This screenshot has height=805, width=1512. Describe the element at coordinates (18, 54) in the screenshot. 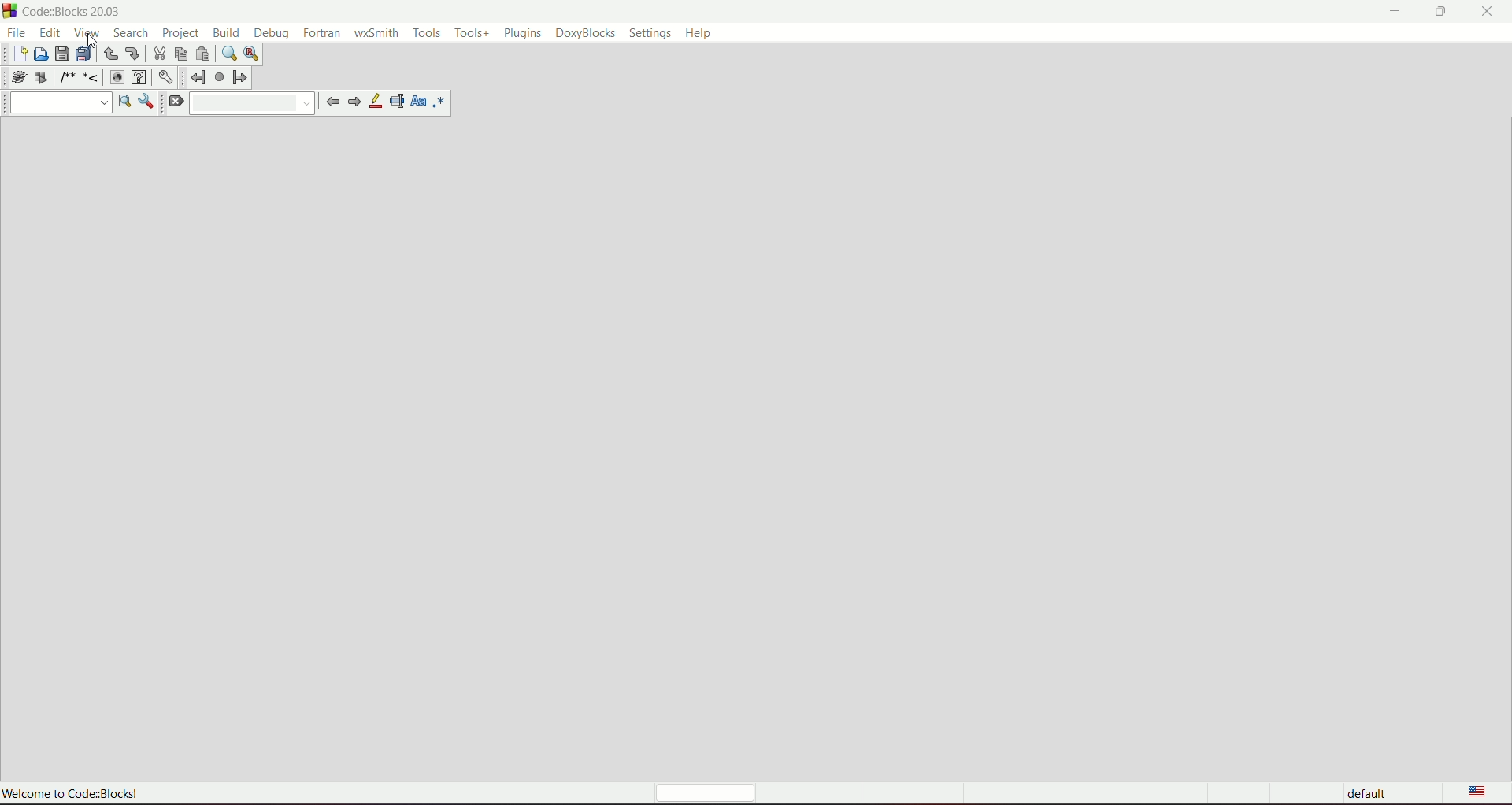

I see `new file` at that location.